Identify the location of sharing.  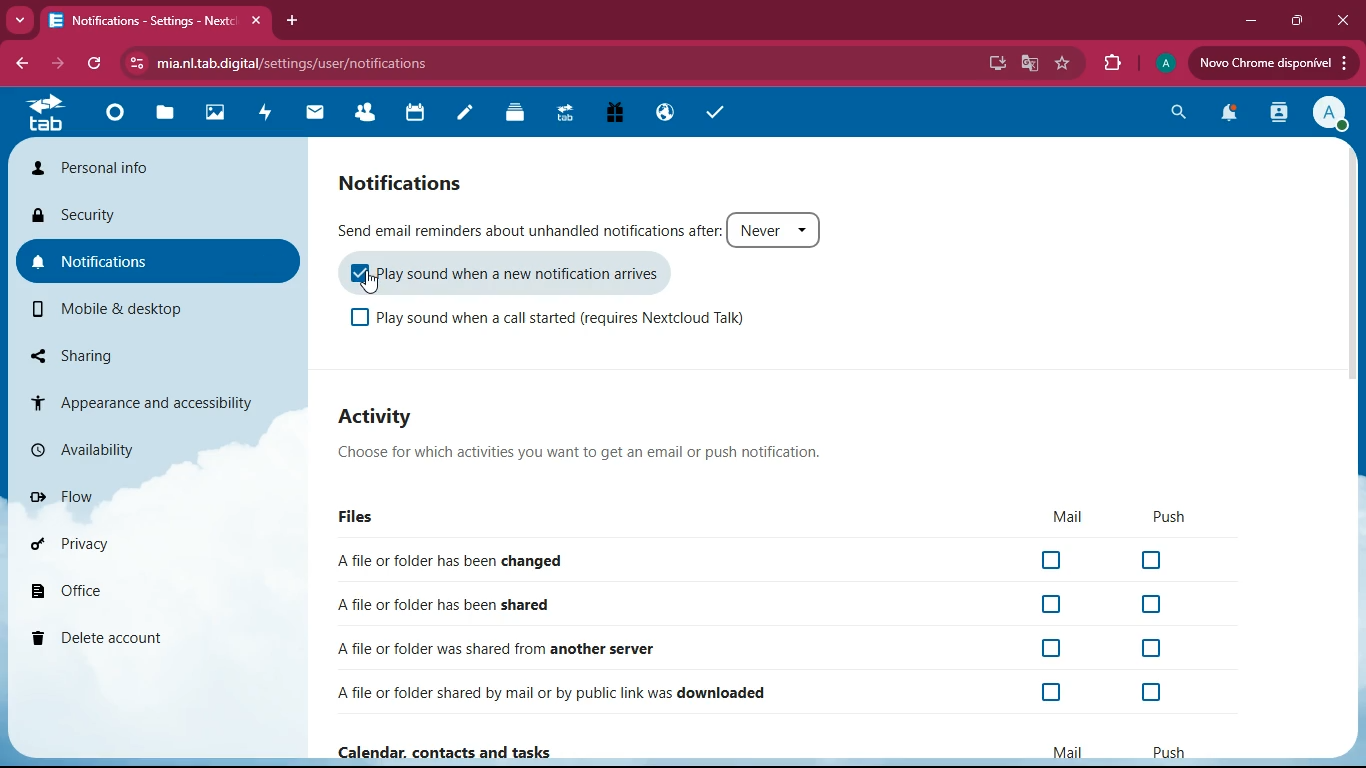
(132, 351).